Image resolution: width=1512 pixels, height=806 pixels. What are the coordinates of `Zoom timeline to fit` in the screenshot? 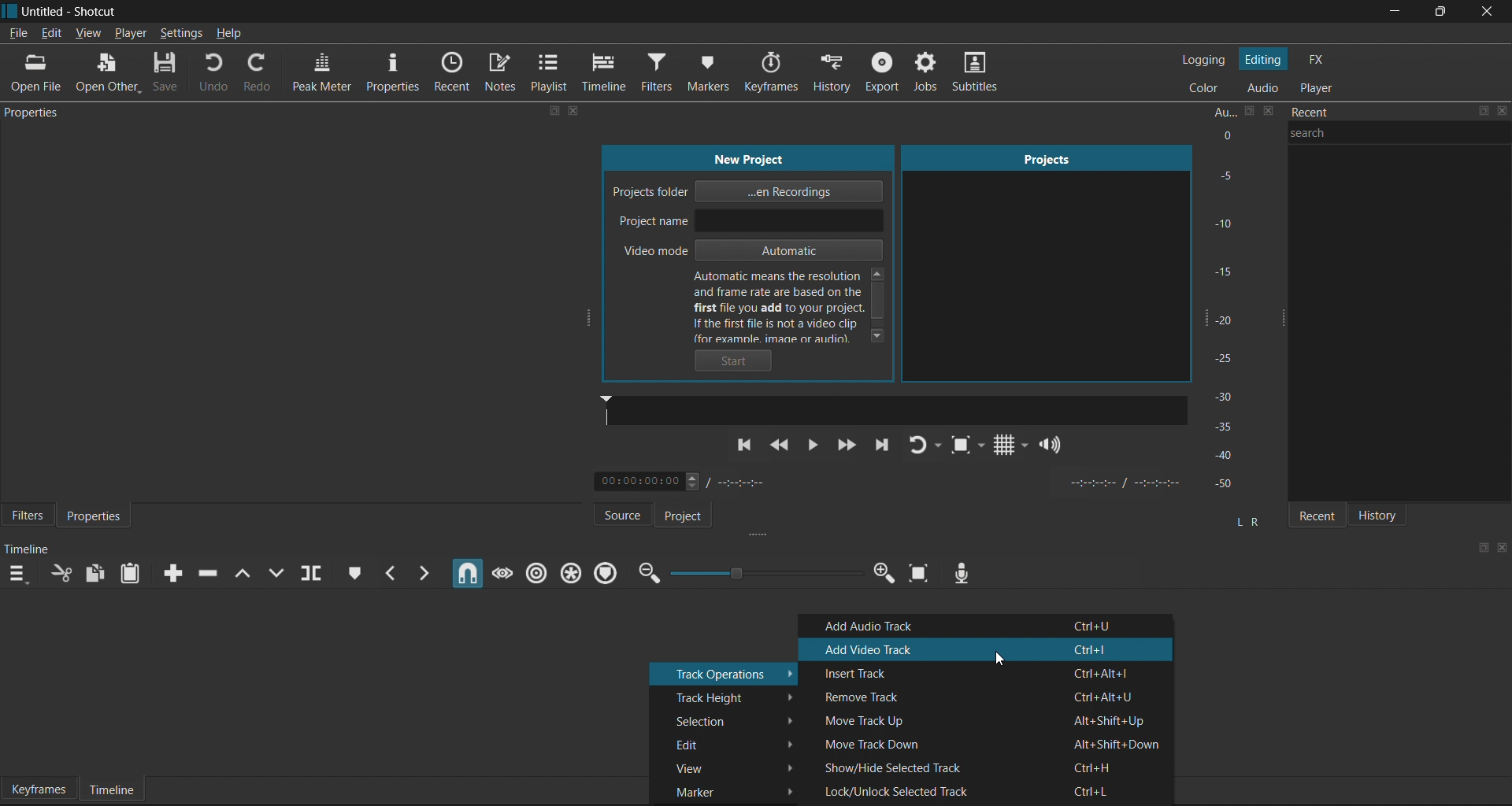 It's located at (918, 578).